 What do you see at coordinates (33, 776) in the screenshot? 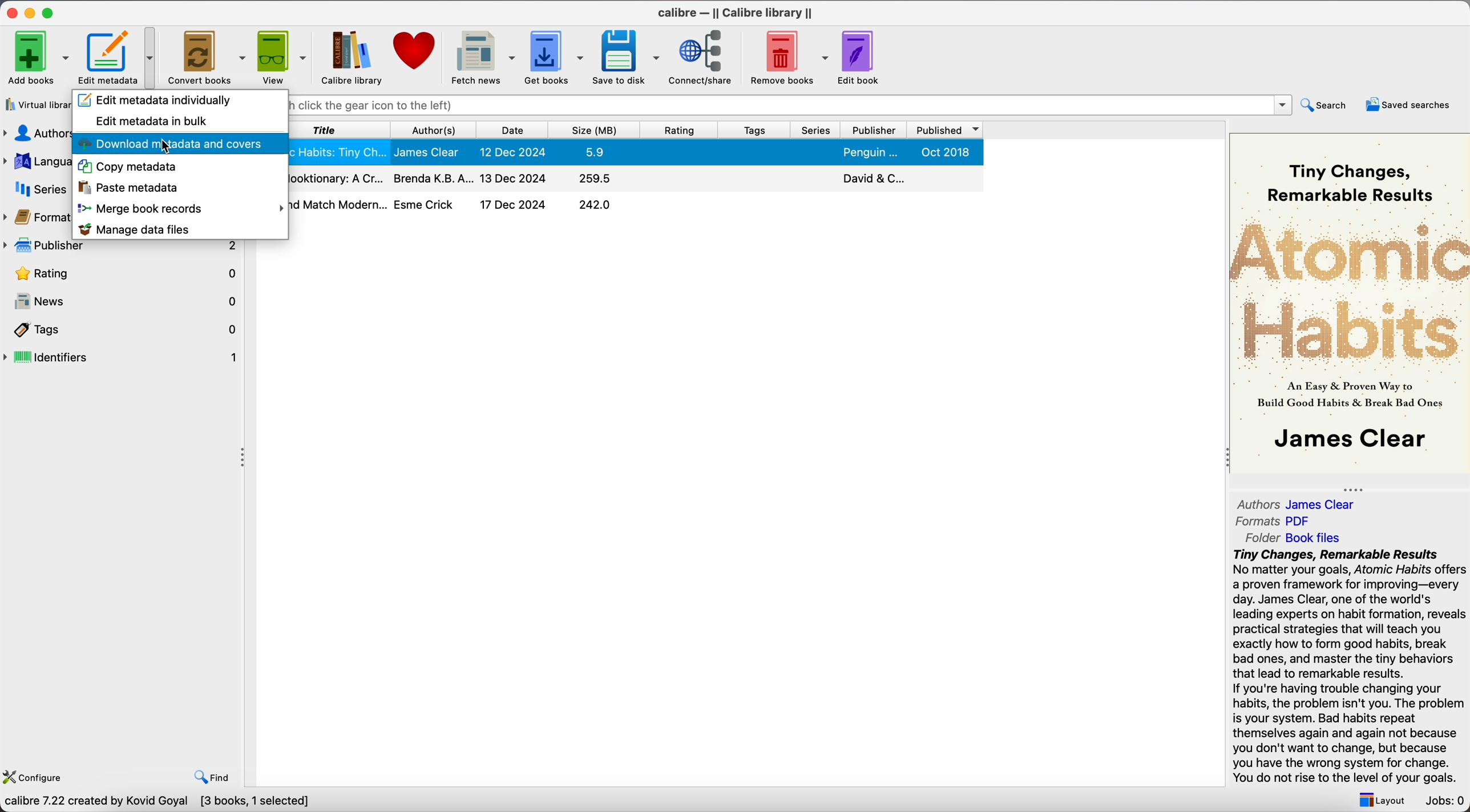
I see `configure` at bounding box center [33, 776].